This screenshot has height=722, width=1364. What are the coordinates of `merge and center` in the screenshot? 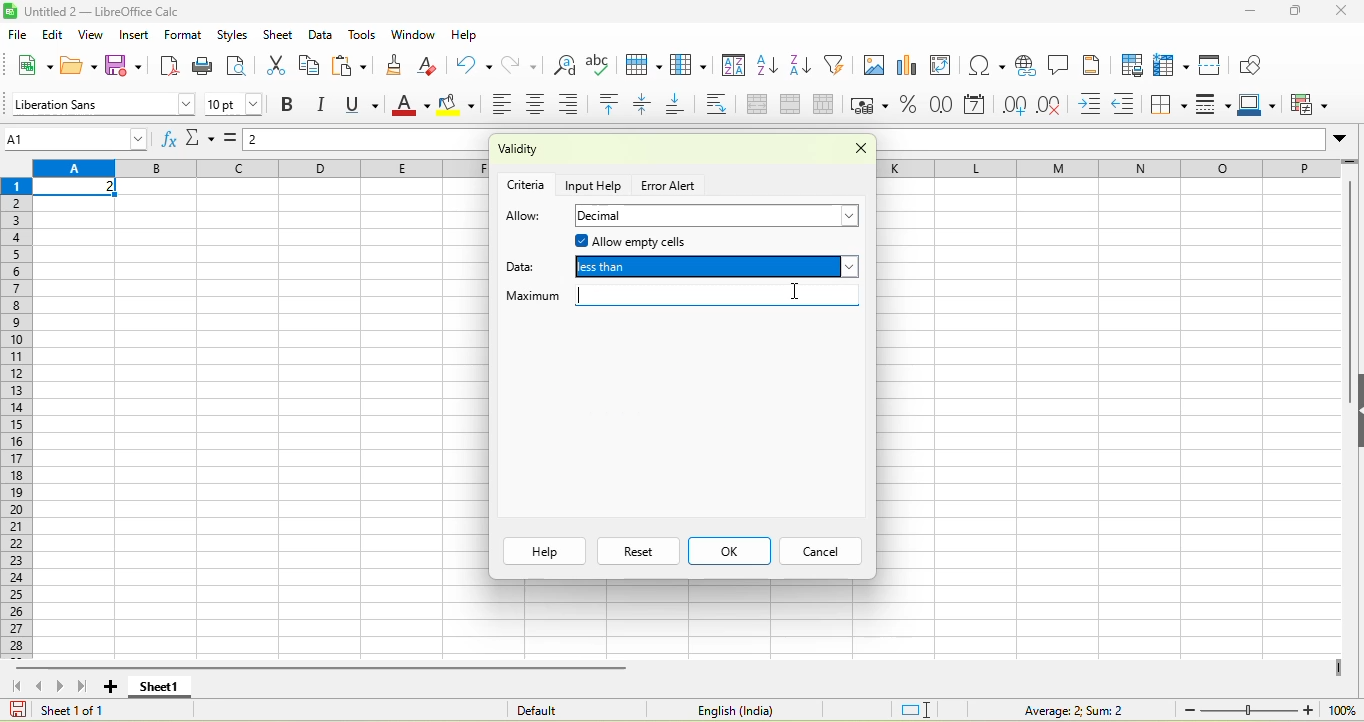 It's located at (757, 106).